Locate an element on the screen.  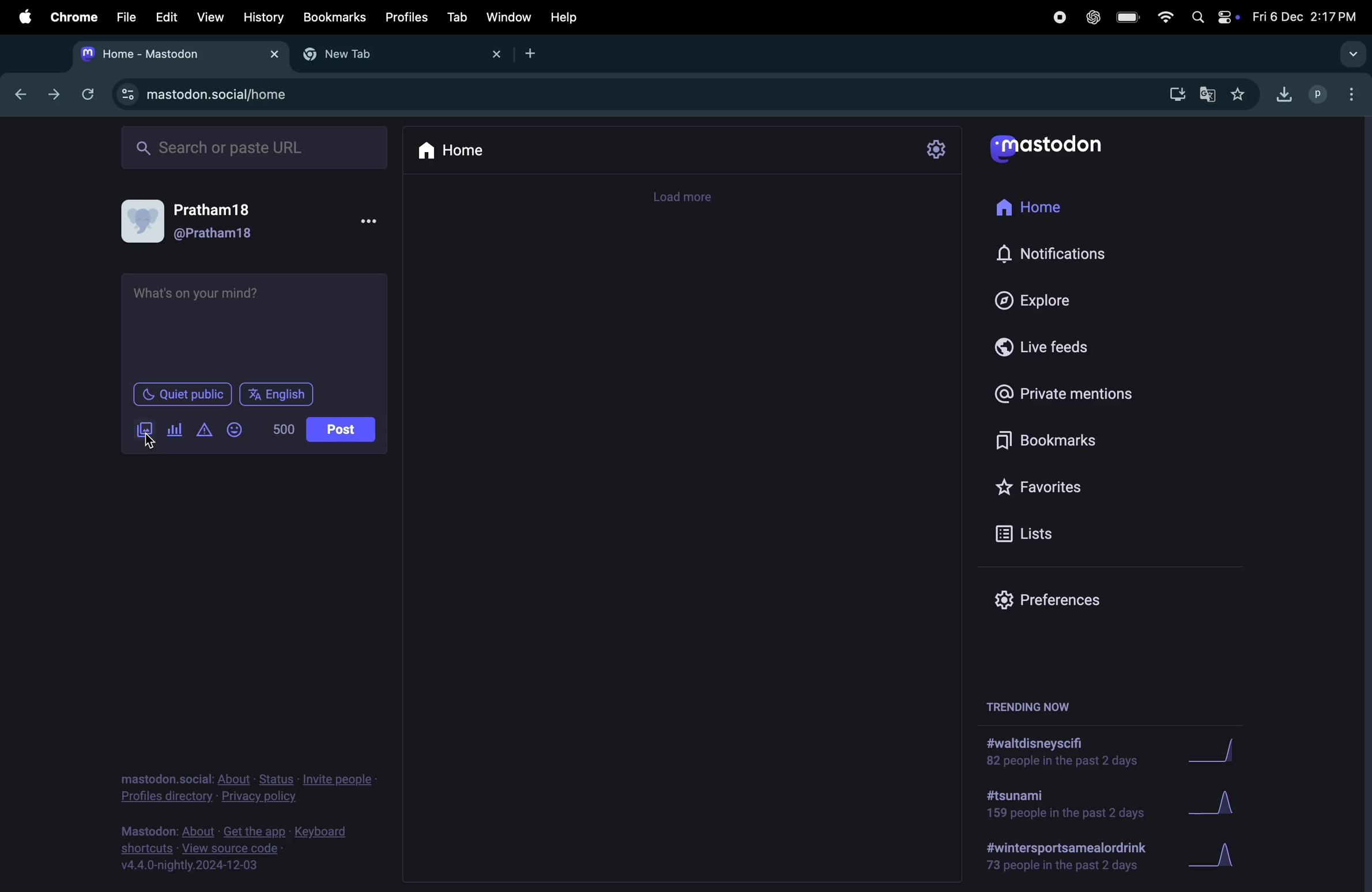
privacy policy is located at coordinates (248, 785).